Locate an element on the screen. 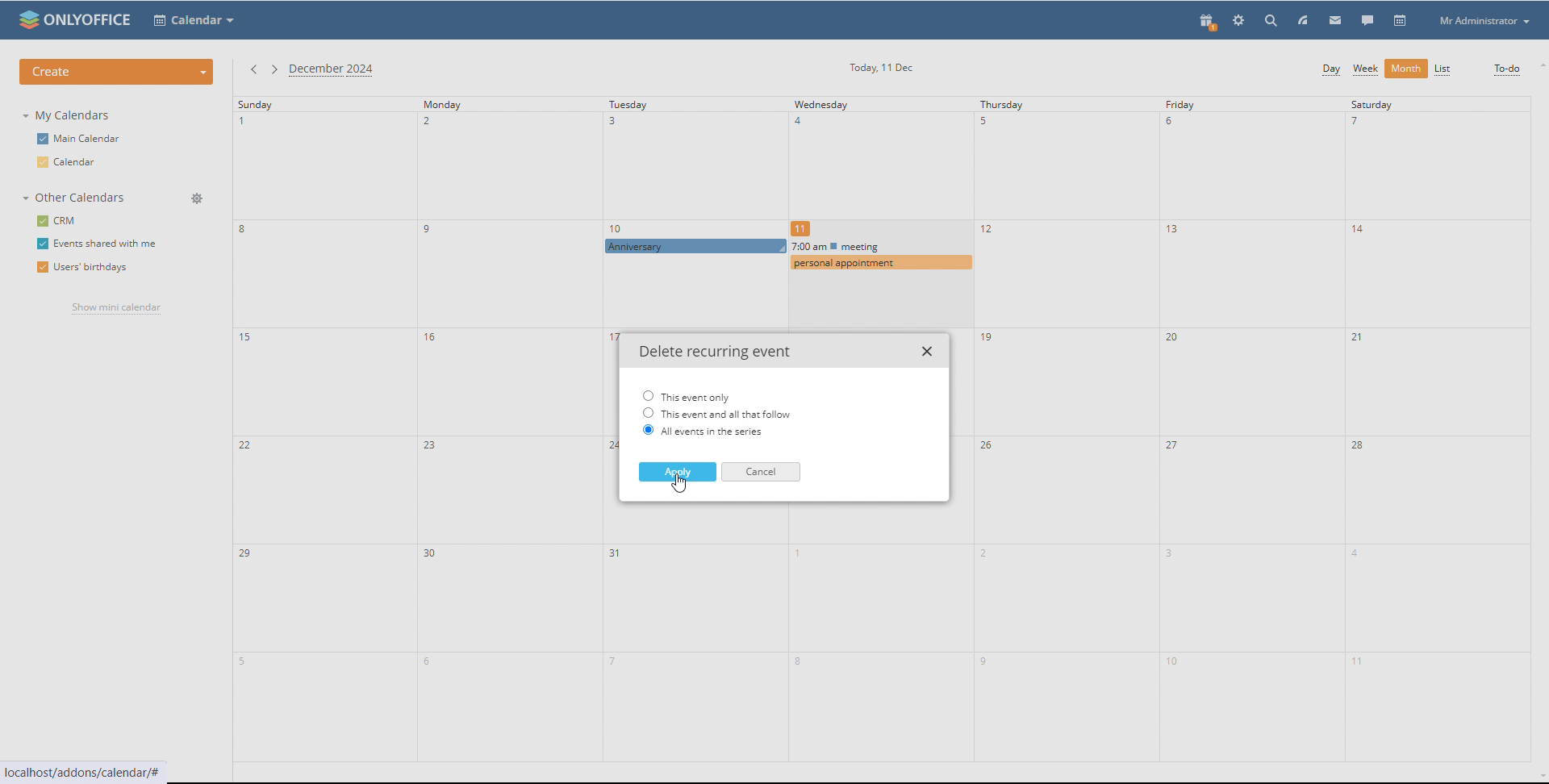 The height and width of the screenshot is (784, 1549). cancel is located at coordinates (760, 473).